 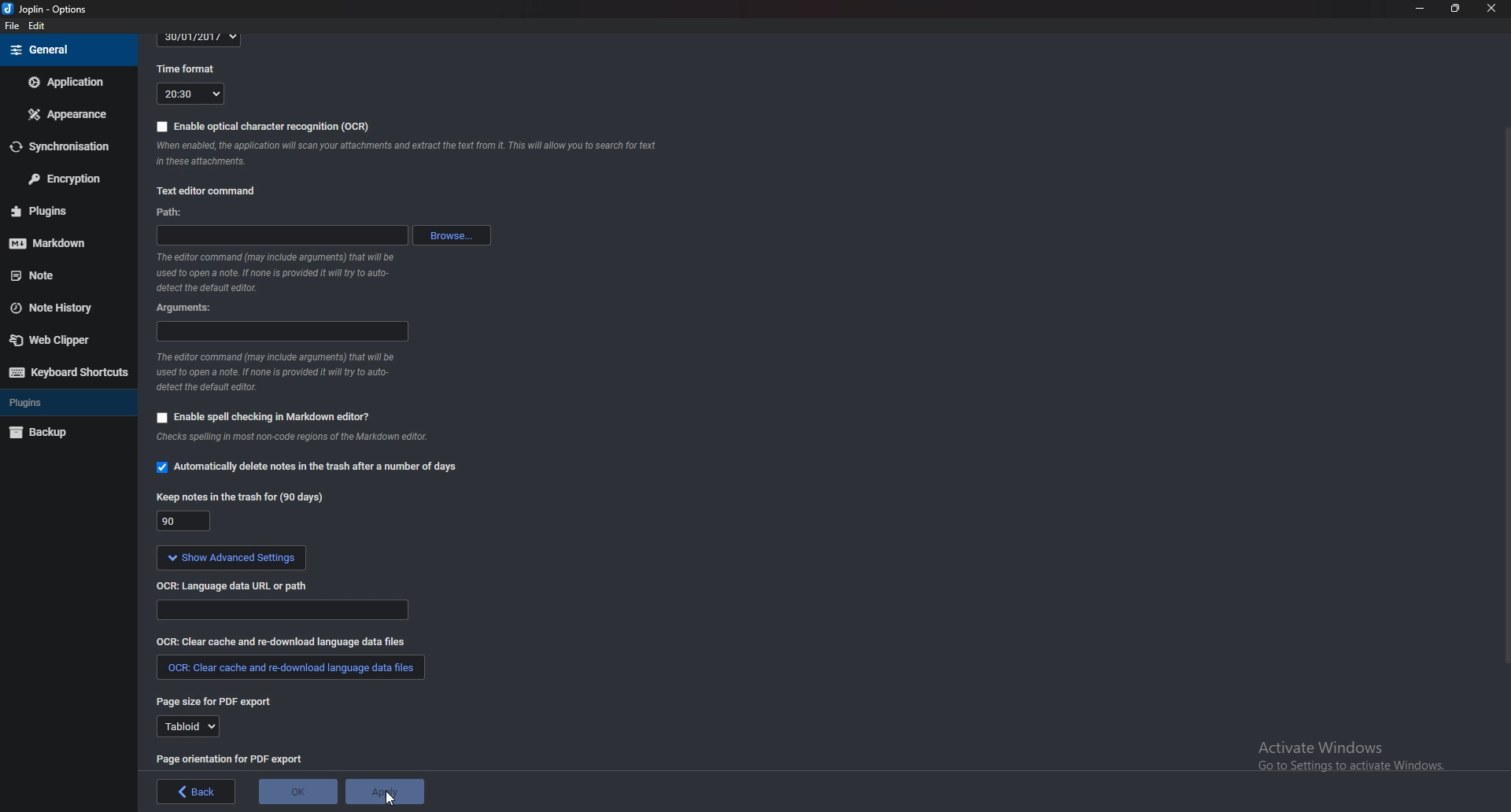 What do you see at coordinates (61, 433) in the screenshot?
I see `Backup` at bounding box center [61, 433].